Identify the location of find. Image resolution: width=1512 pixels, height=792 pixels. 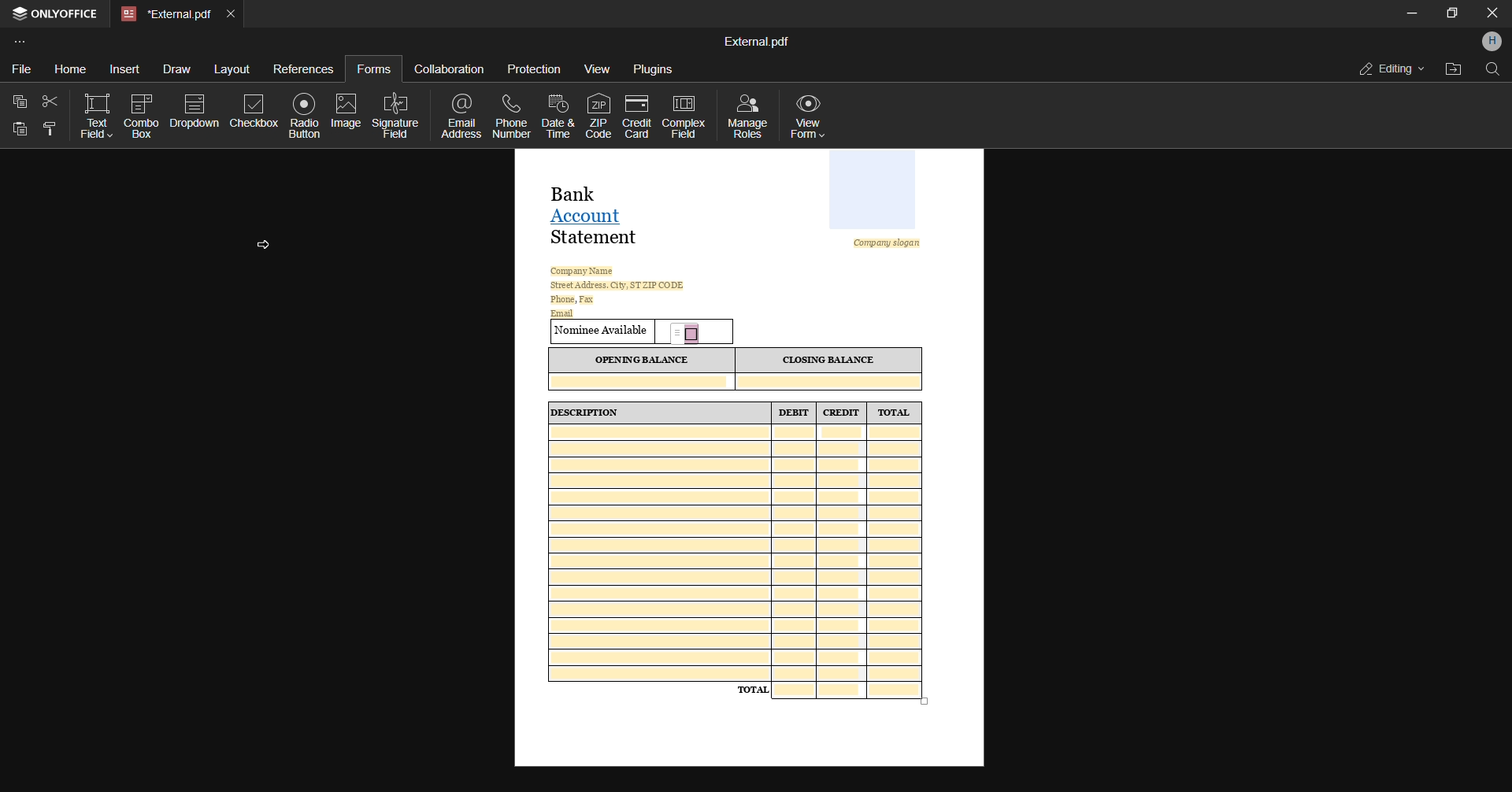
(1493, 72).